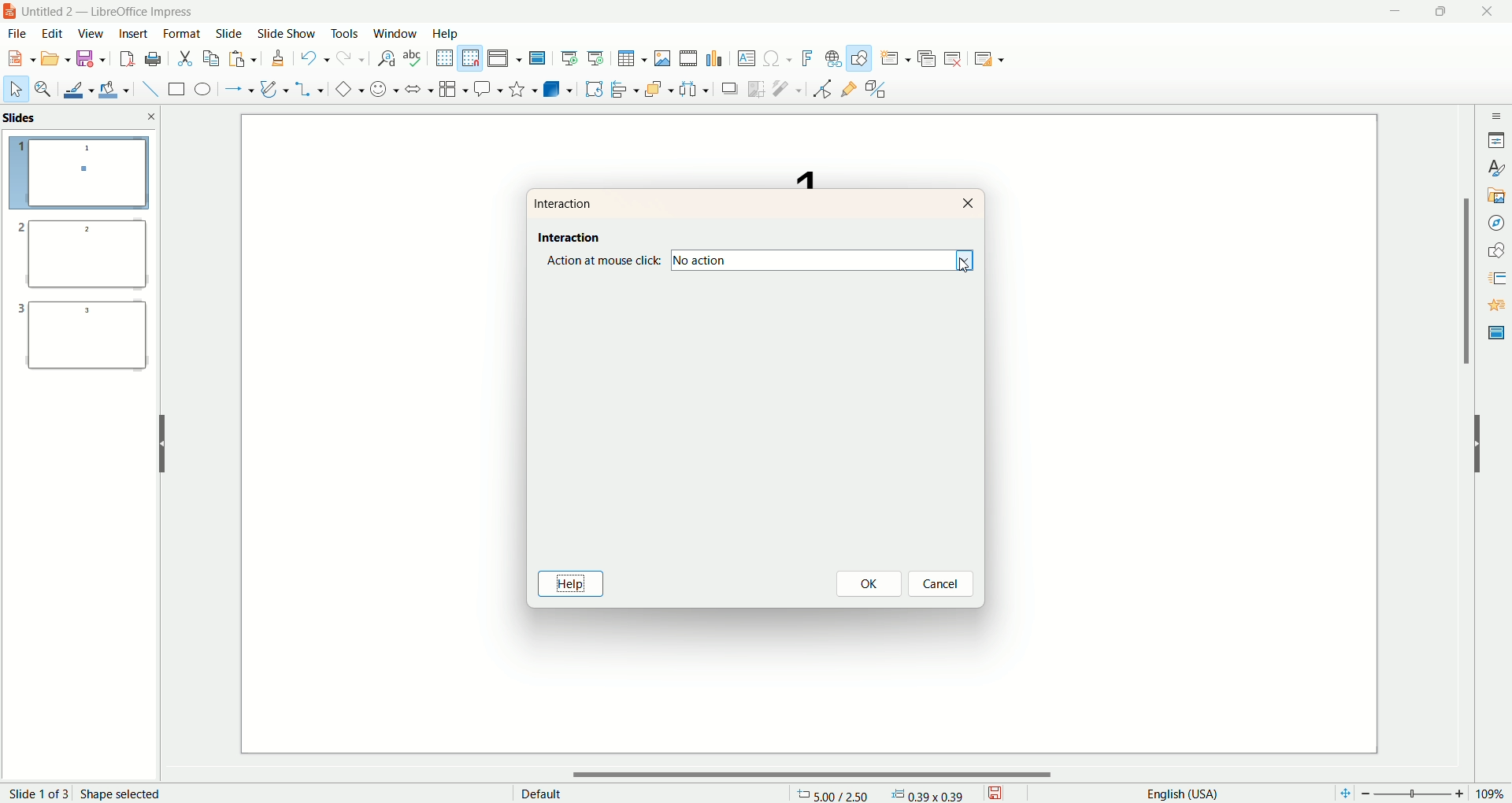 The image size is (1512, 803). I want to click on open, so click(57, 60).